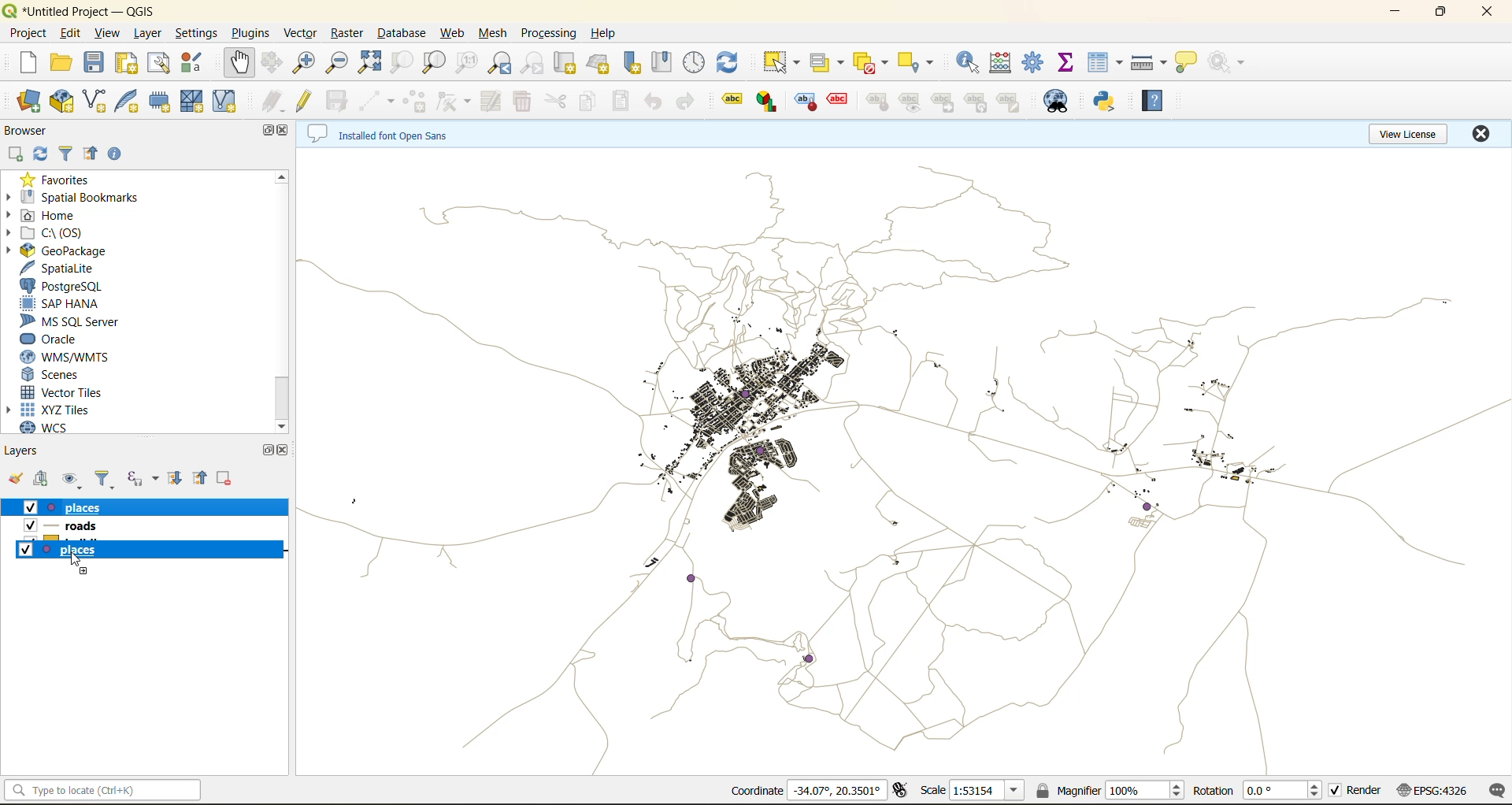 The image size is (1512, 805). I want to click on view, so click(109, 35).